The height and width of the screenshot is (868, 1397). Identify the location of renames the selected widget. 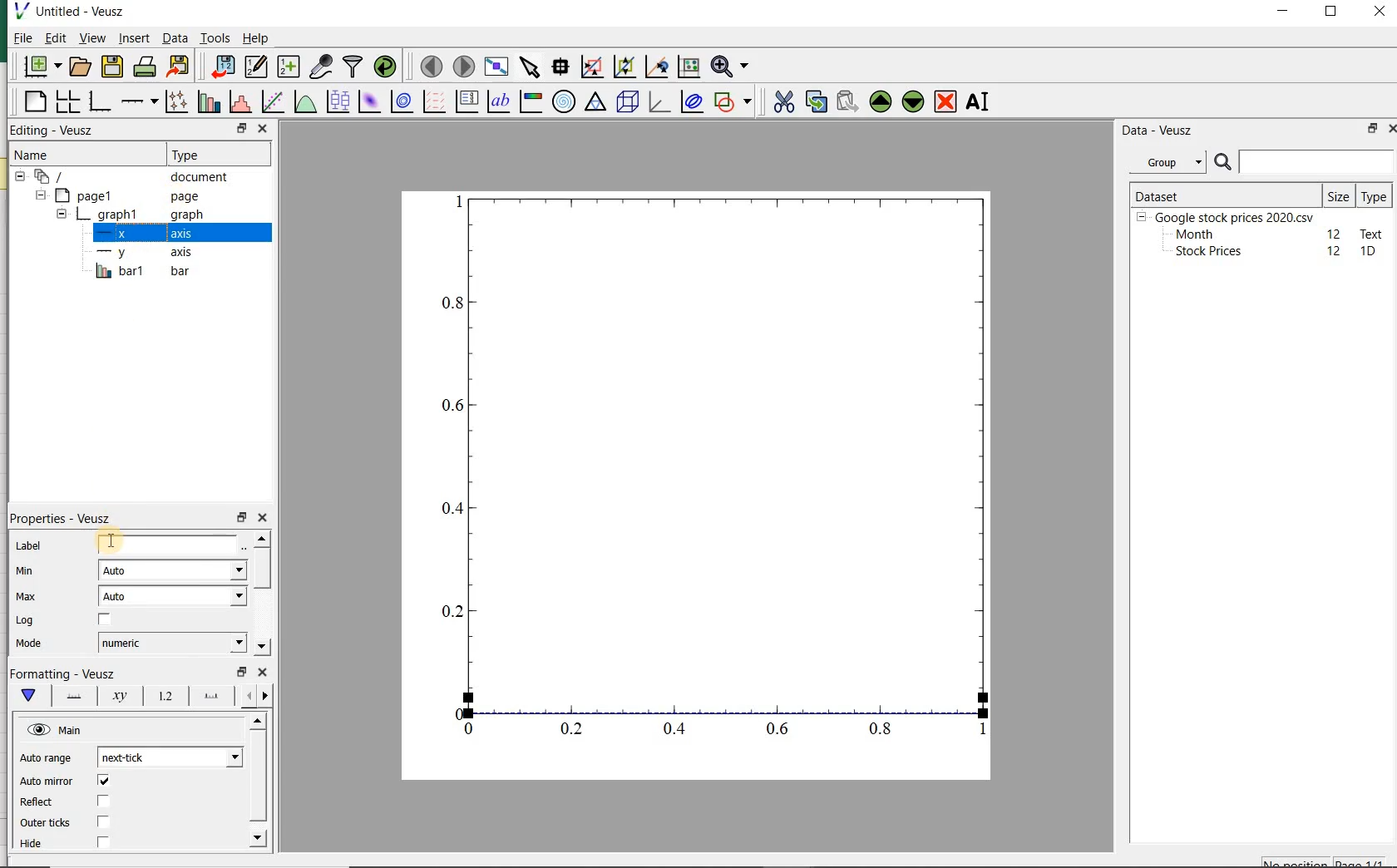
(975, 104).